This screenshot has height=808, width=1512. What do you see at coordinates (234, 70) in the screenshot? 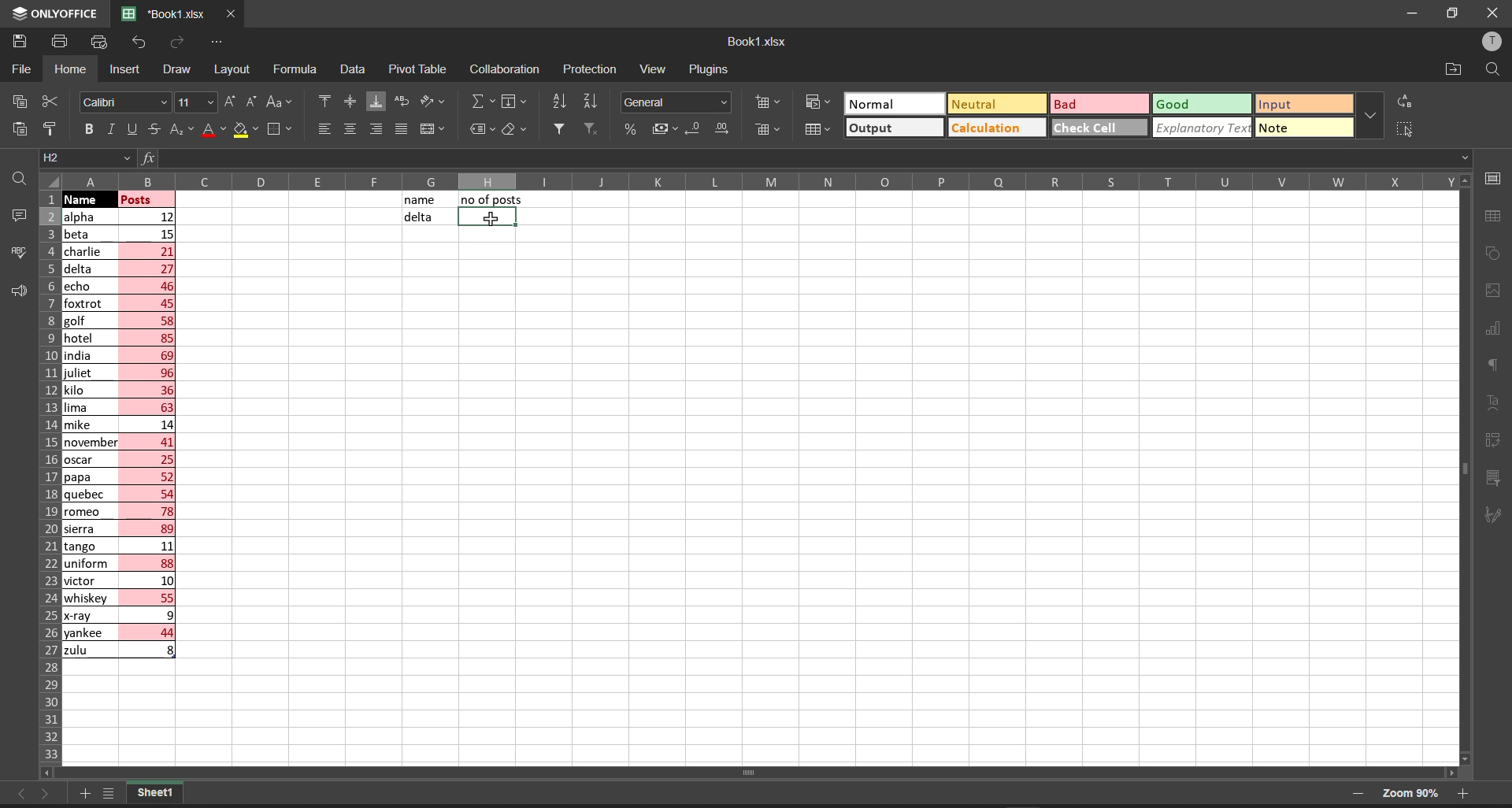
I see `layout` at bounding box center [234, 70].